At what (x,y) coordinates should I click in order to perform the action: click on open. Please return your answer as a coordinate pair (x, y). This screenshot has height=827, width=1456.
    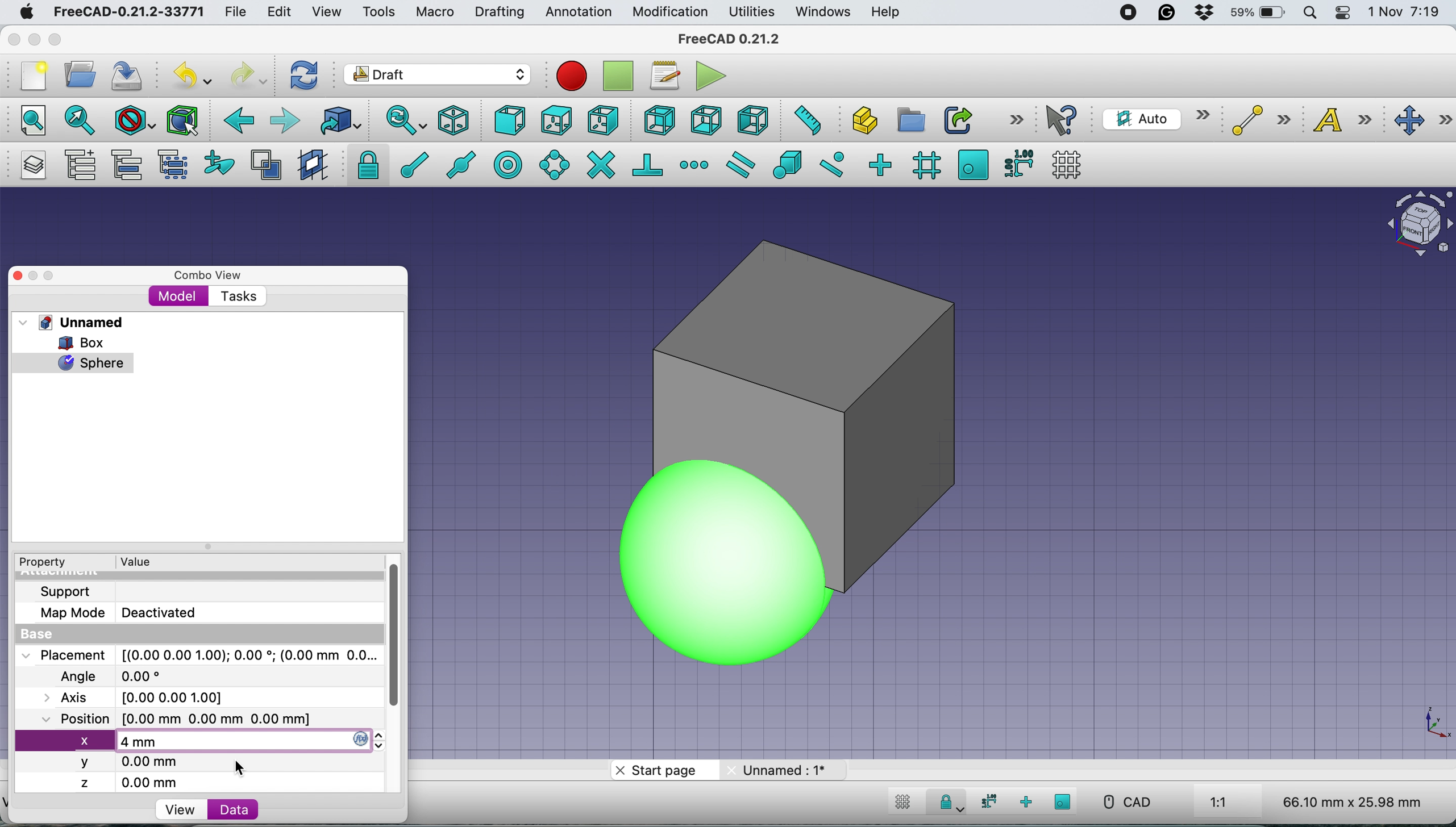
    Looking at the image, I should click on (85, 74).